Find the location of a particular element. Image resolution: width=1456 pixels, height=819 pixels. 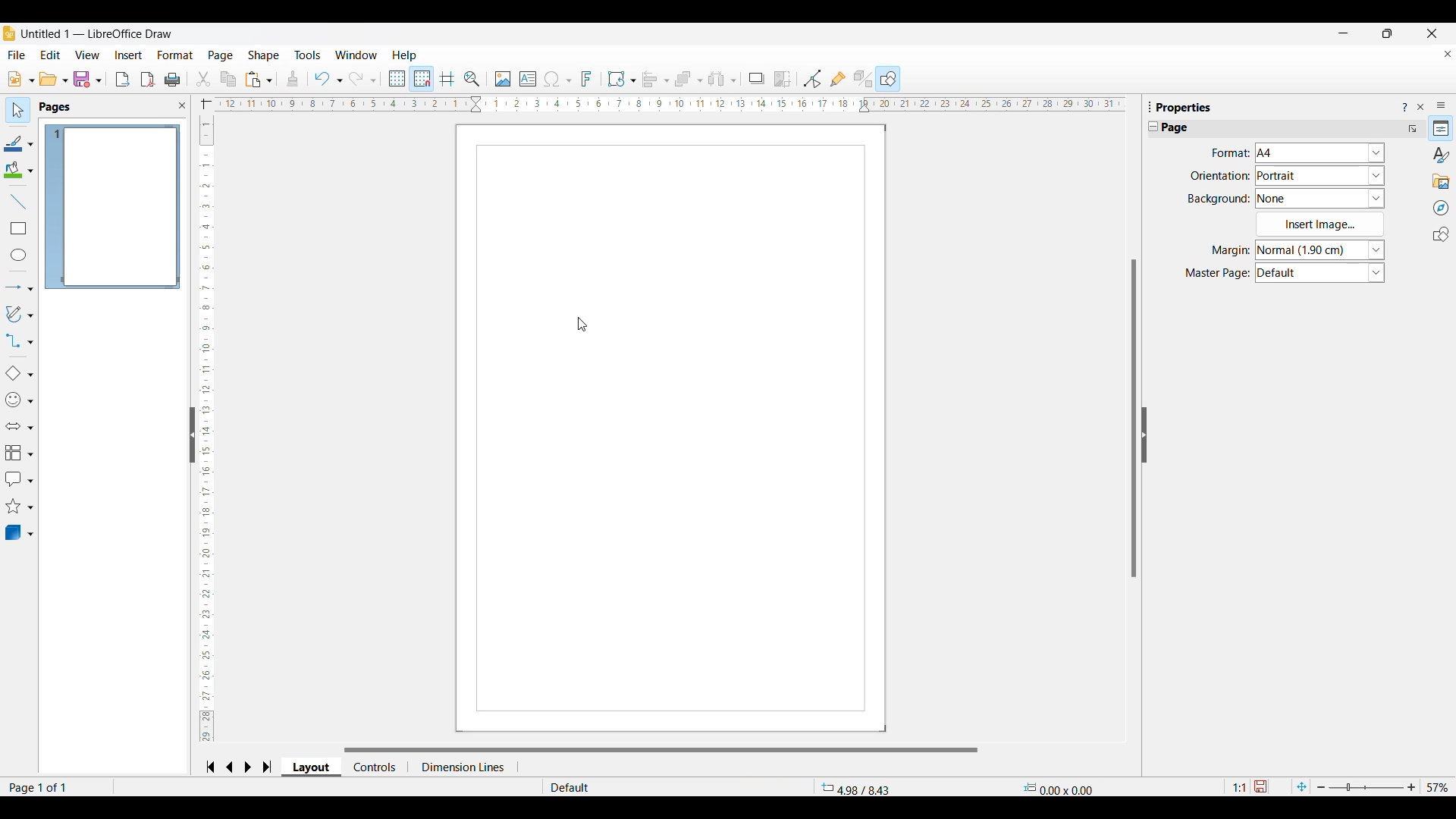

Close current document is located at coordinates (1448, 54).